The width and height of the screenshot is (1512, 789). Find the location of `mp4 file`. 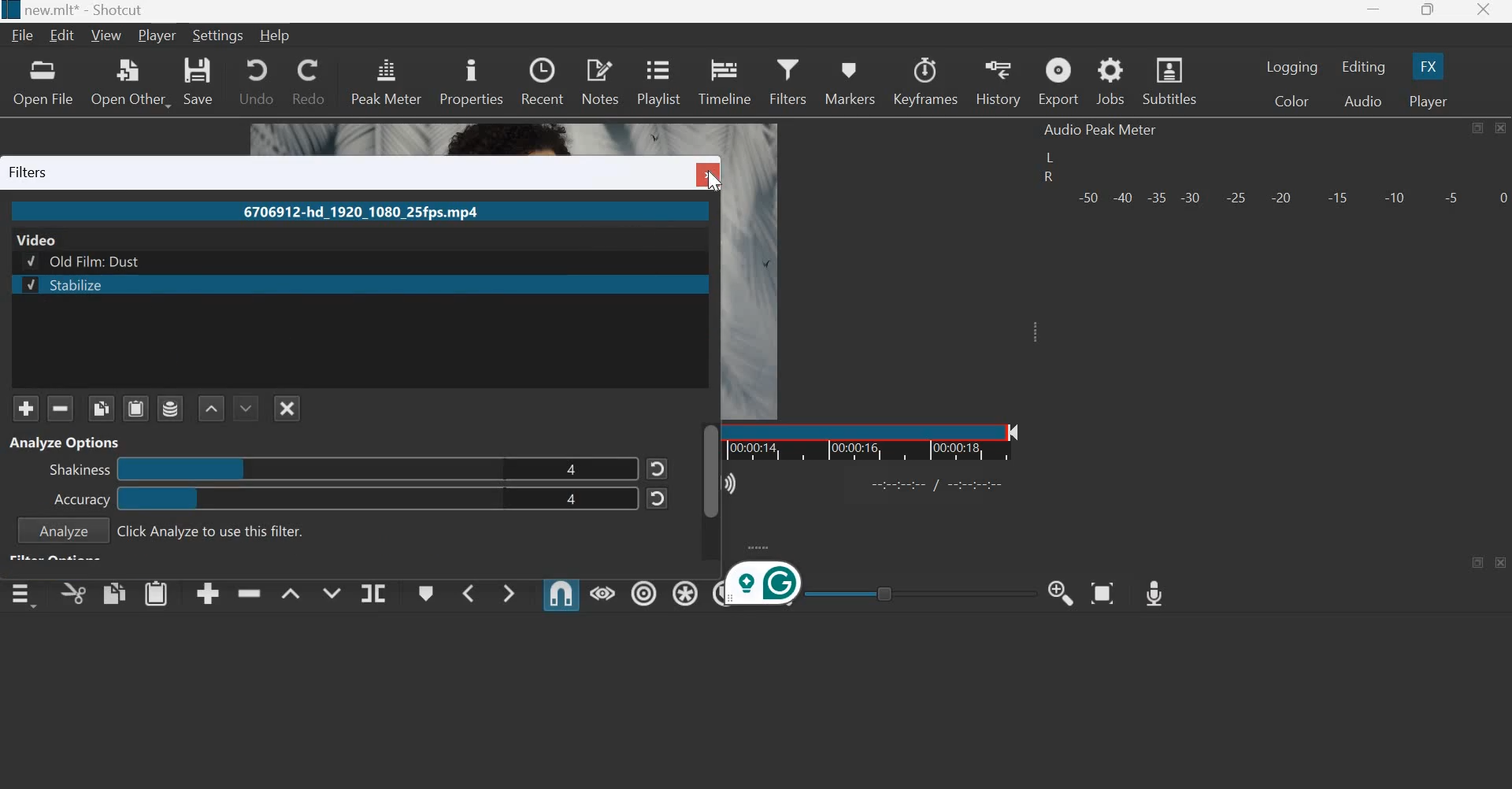

mp4 file is located at coordinates (365, 212).